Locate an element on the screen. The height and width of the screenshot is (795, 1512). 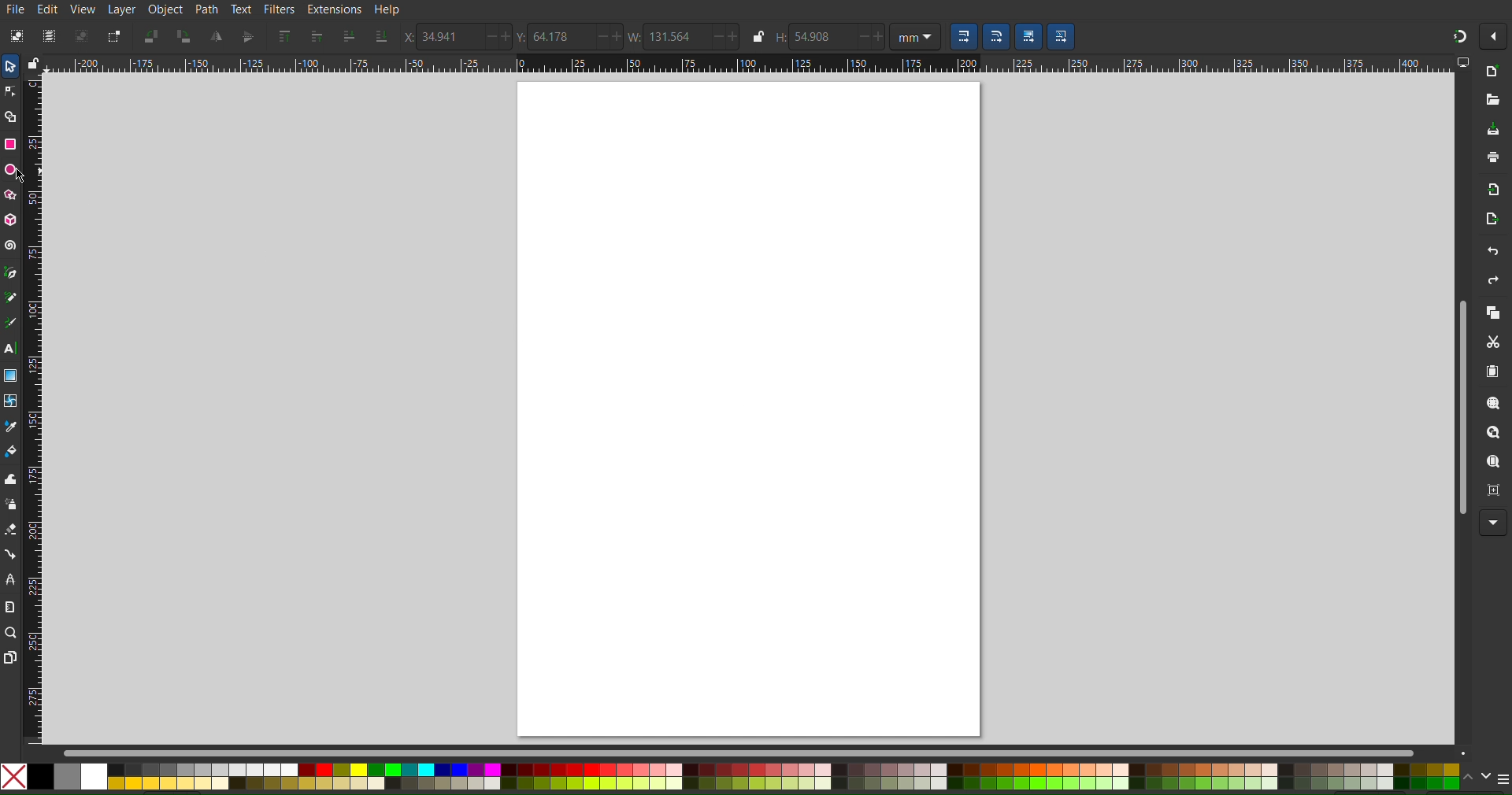
Scrollbar is located at coordinates (764, 752).